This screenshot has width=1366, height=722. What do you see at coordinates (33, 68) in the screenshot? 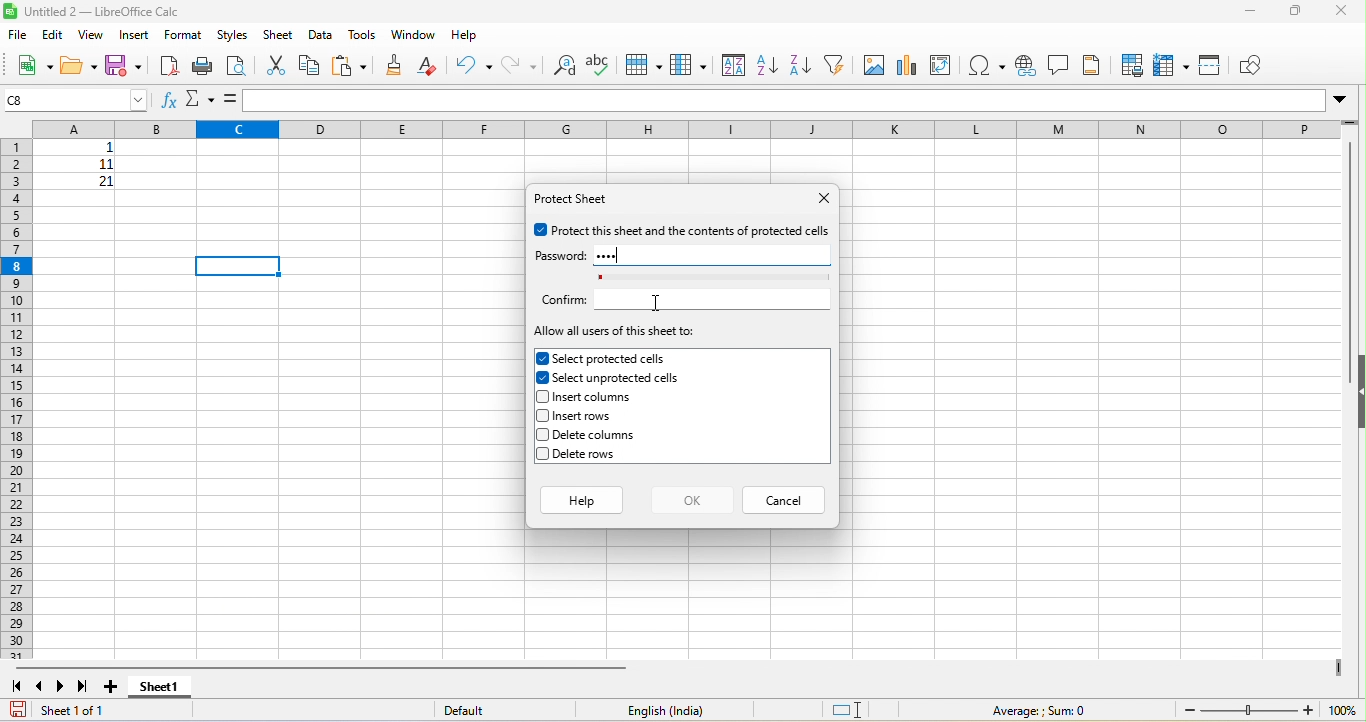
I see `new` at bounding box center [33, 68].